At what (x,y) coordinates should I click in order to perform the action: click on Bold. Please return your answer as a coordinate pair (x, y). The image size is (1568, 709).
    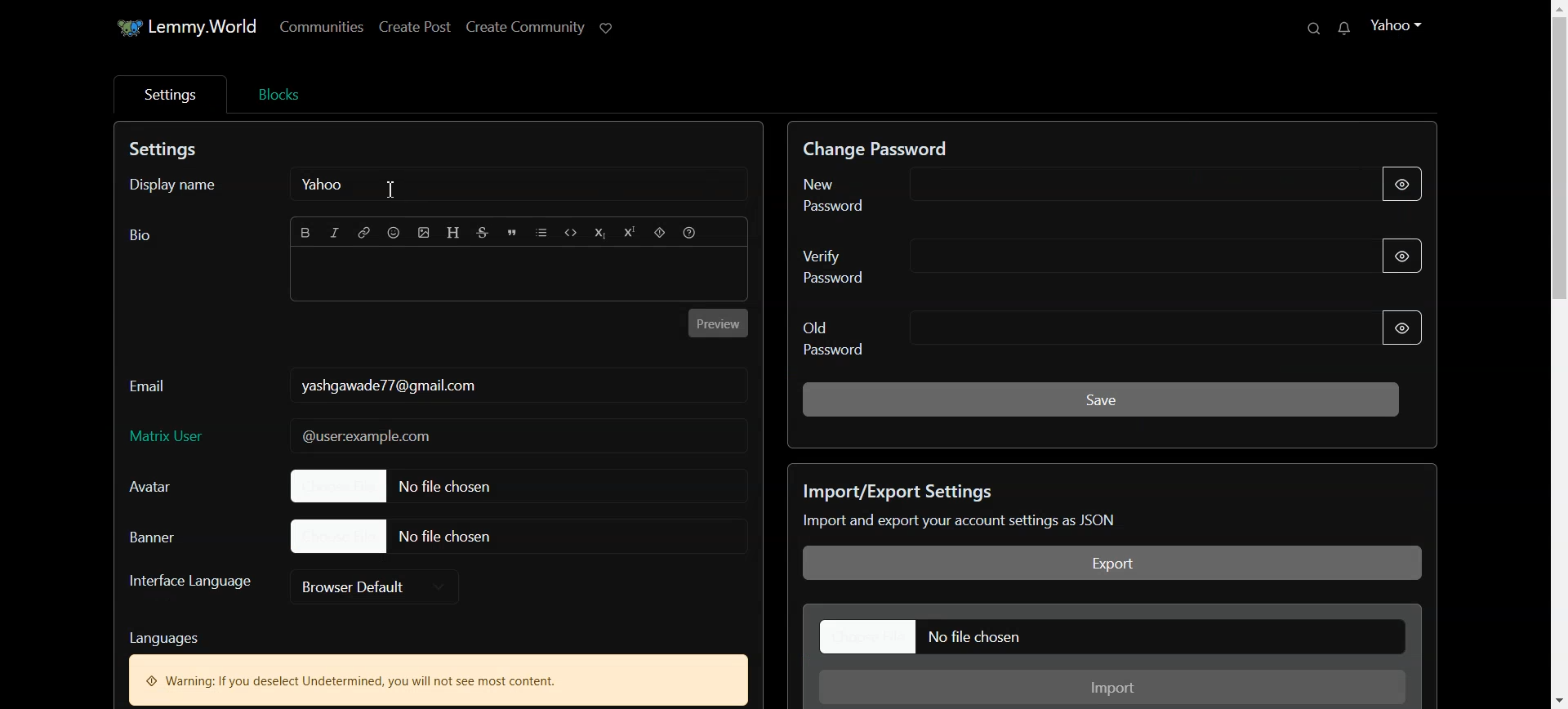
    Looking at the image, I should click on (306, 233).